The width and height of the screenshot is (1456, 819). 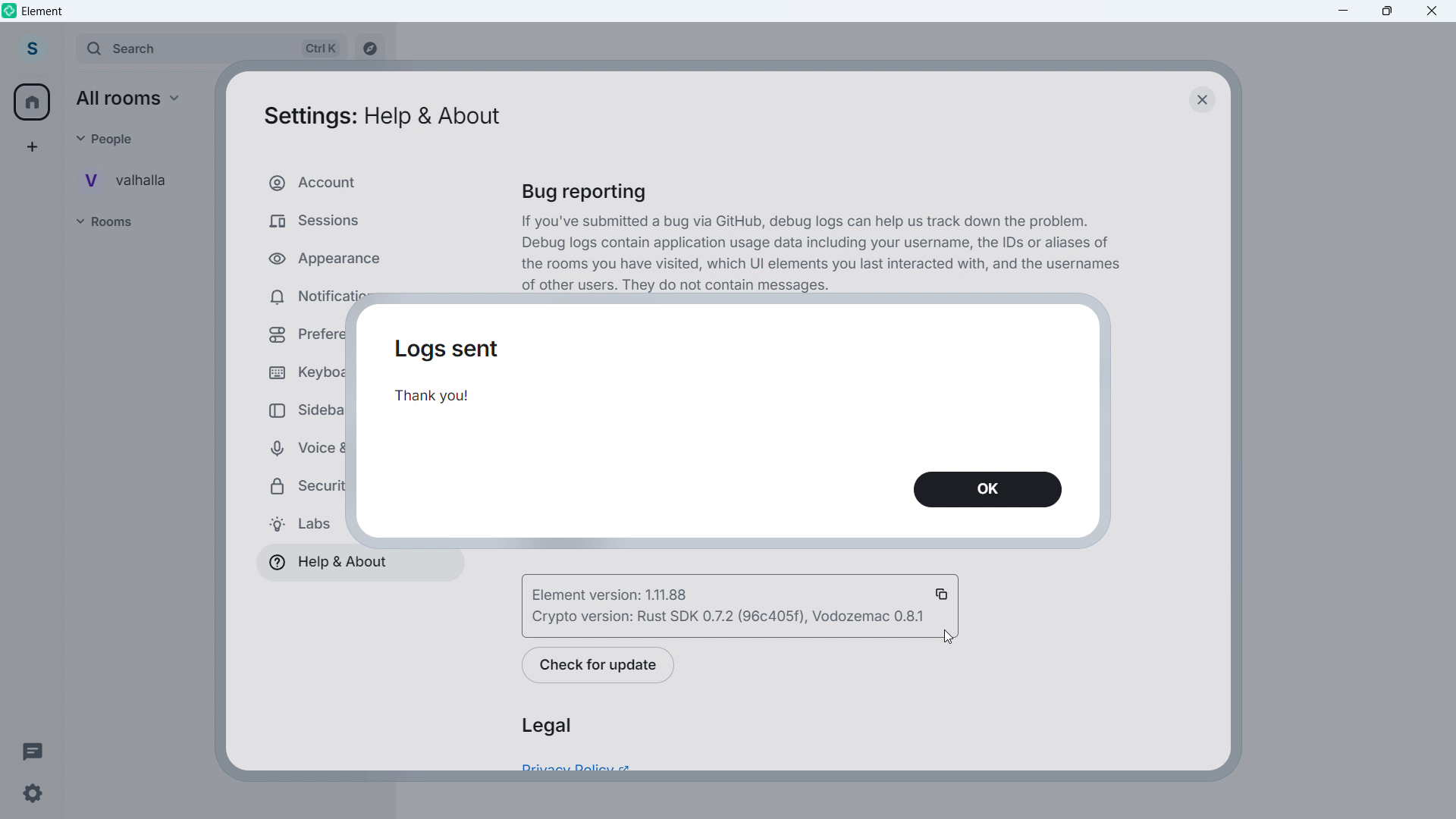 What do you see at coordinates (807, 221) in the screenshot?
I see `if you've submitted a bug via Github, debug logs can help us track down the problem` at bounding box center [807, 221].